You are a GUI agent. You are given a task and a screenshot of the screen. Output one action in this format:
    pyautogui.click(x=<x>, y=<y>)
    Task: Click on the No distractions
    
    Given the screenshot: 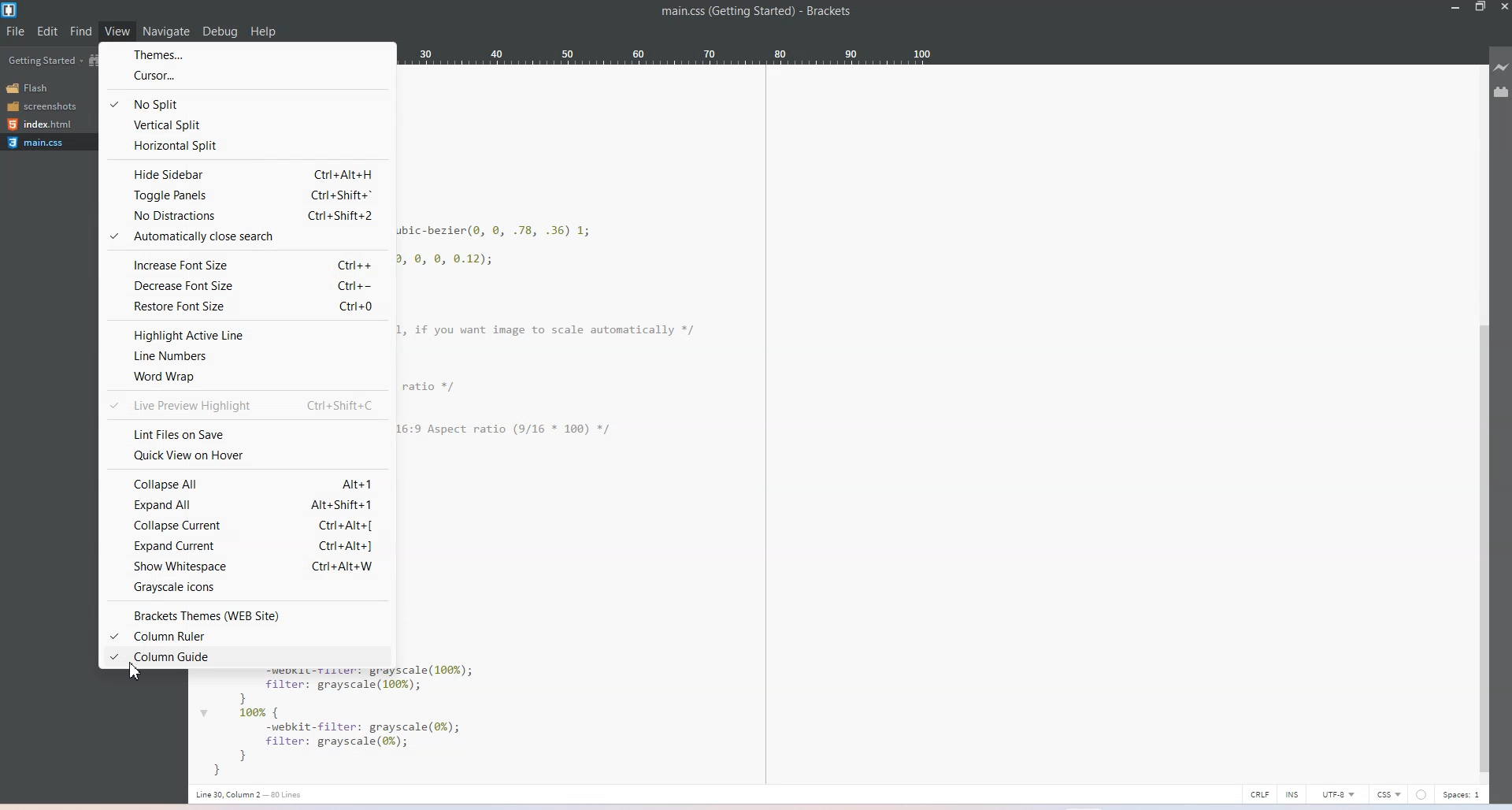 What is the action you would take?
    pyautogui.click(x=245, y=215)
    